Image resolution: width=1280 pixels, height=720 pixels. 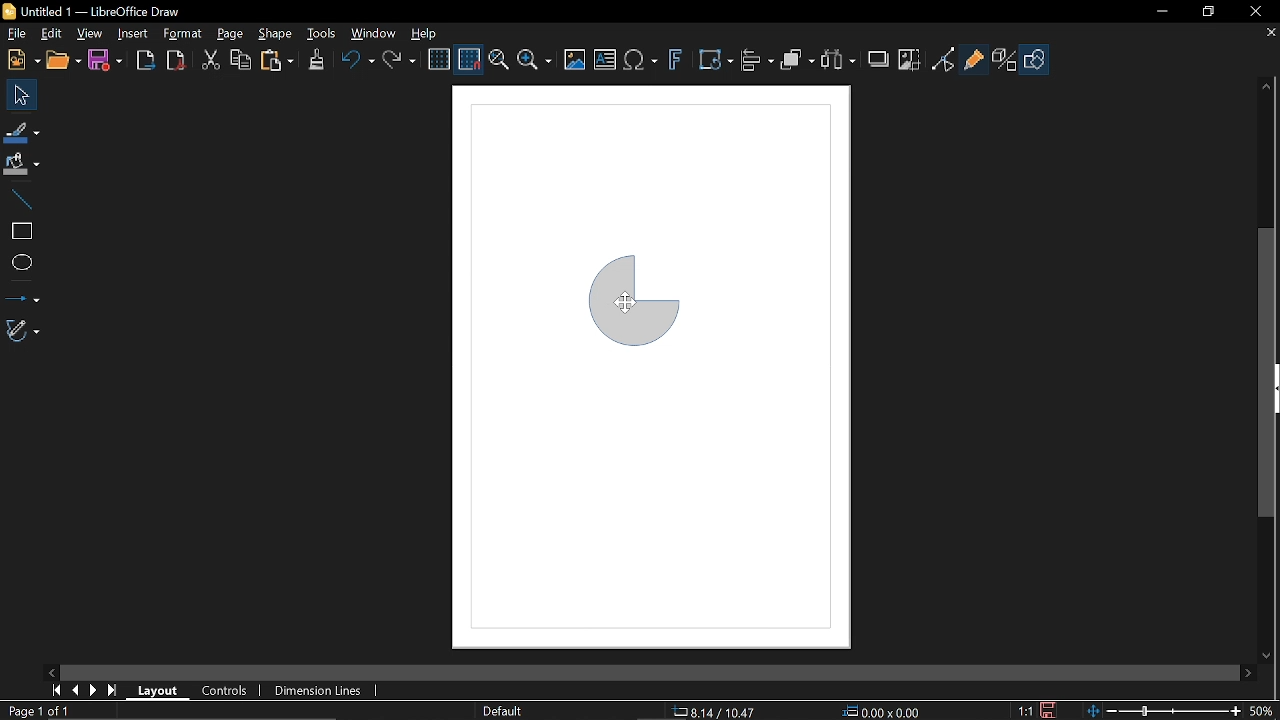 What do you see at coordinates (797, 61) in the screenshot?
I see `Objects` at bounding box center [797, 61].